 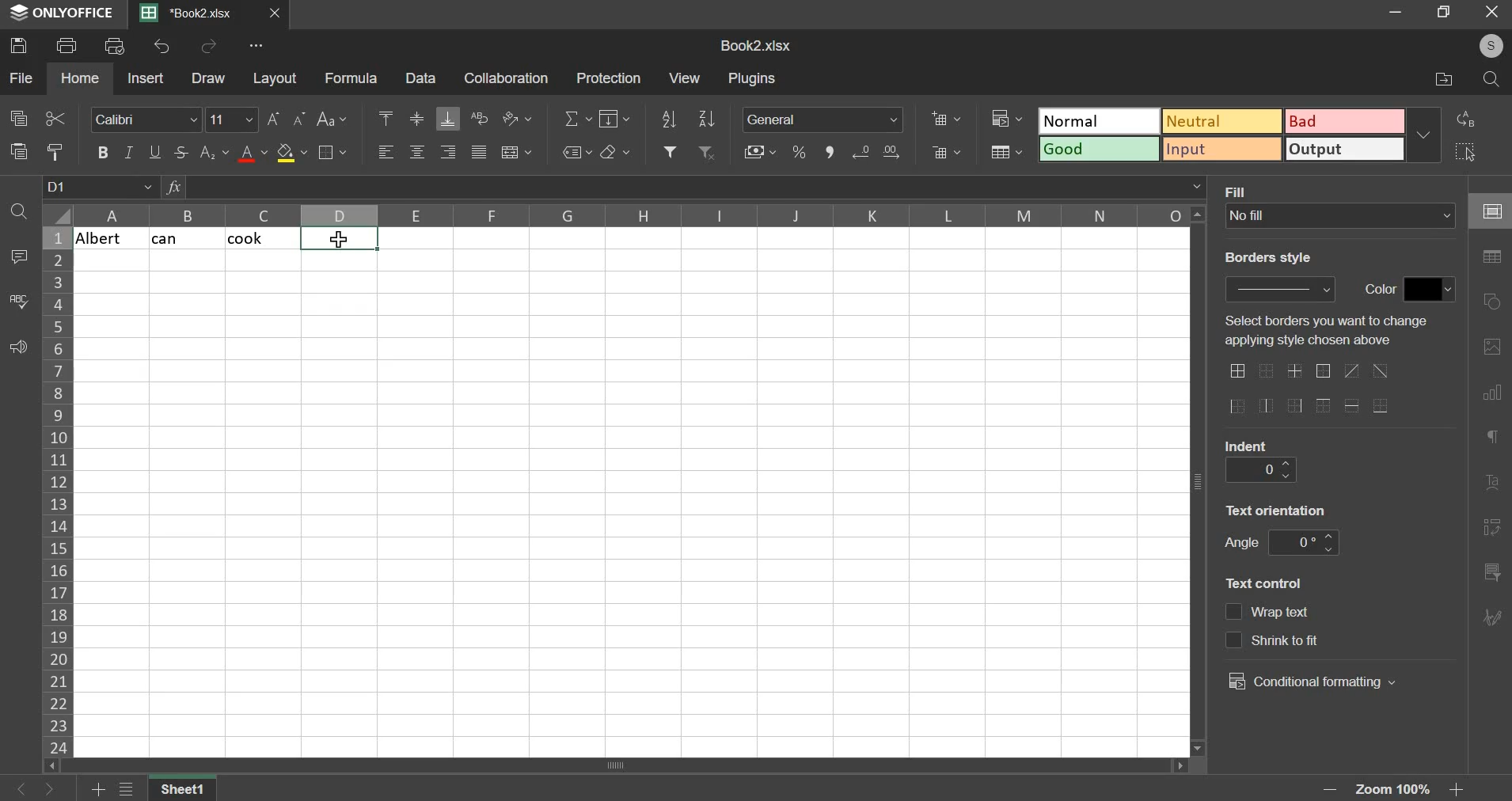 What do you see at coordinates (1241, 135) in the screenshot?
I see `type` at bounding box center [1241, 135].